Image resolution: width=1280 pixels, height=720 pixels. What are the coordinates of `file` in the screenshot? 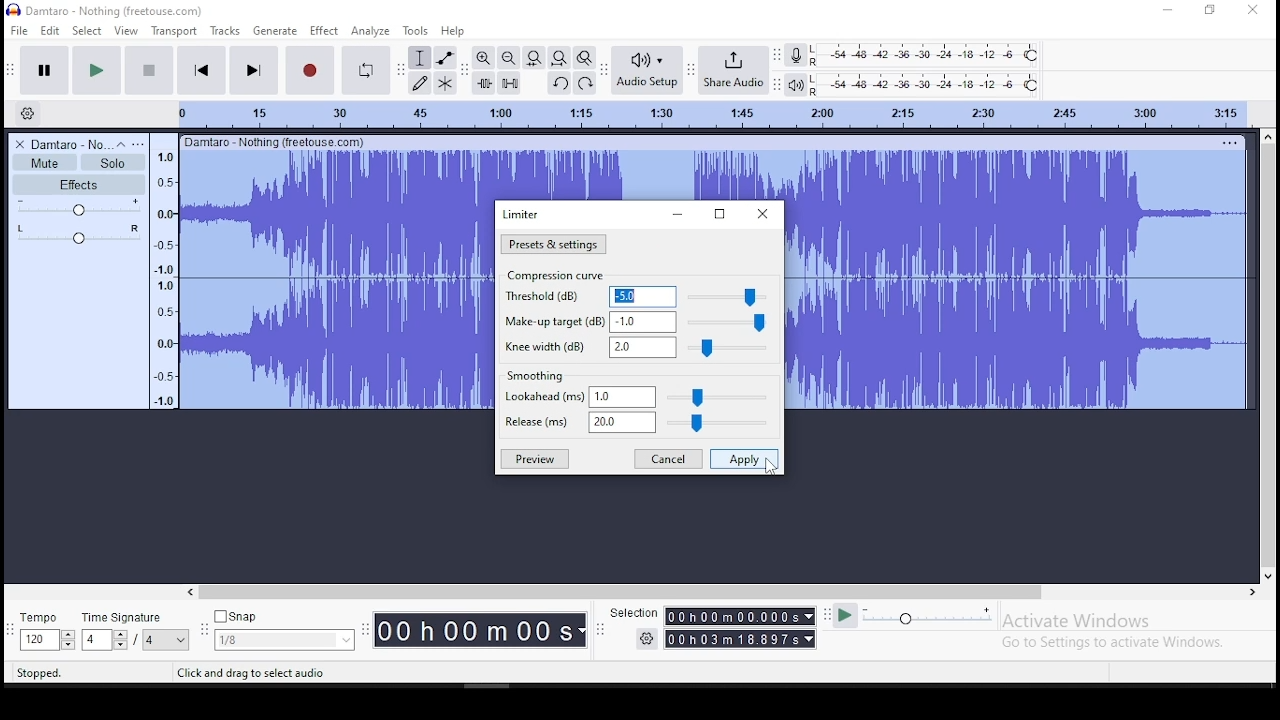 It's located at (18, 29).